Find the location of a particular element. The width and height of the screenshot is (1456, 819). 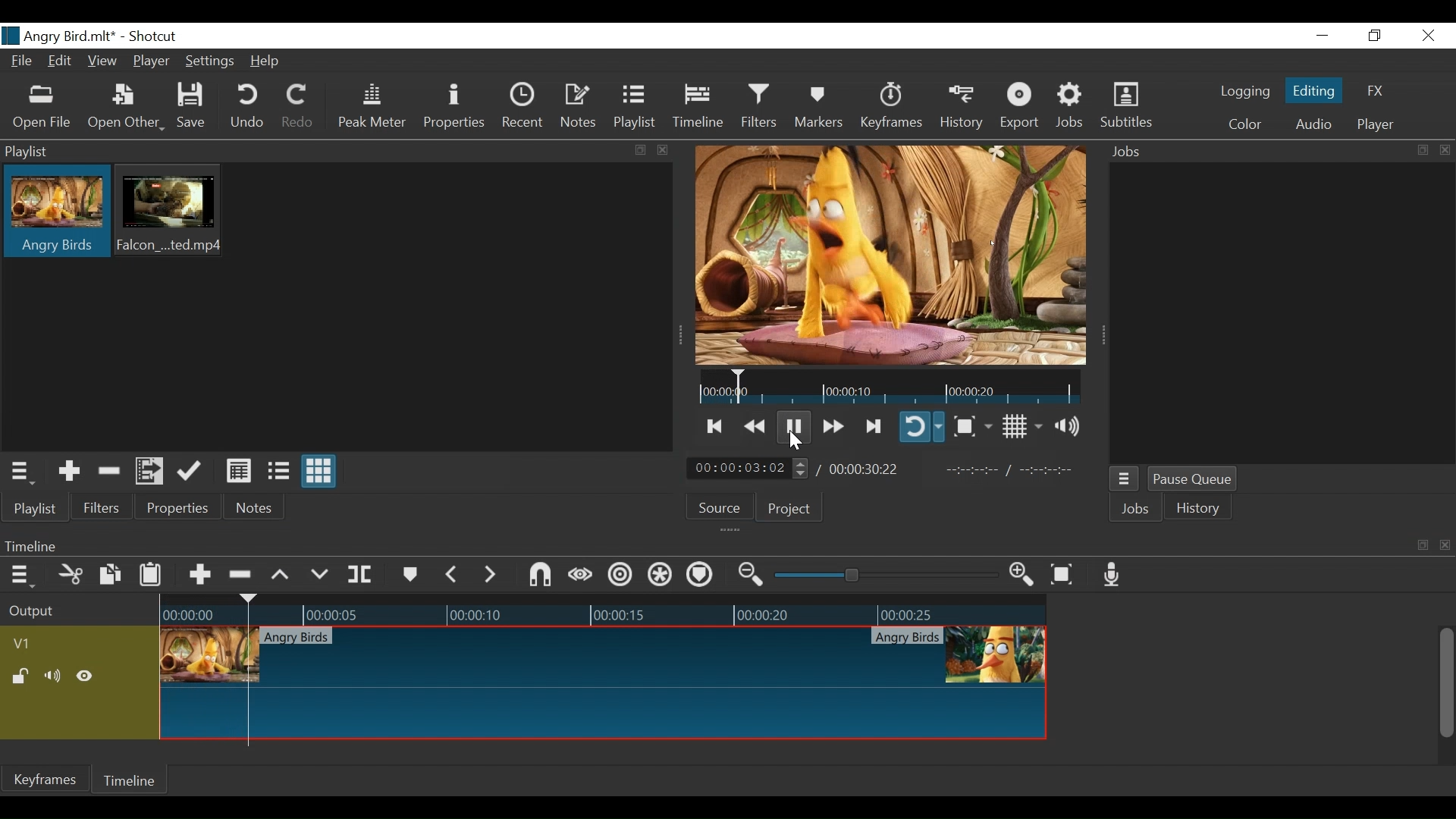

Player is located at coordinates (152, 63).